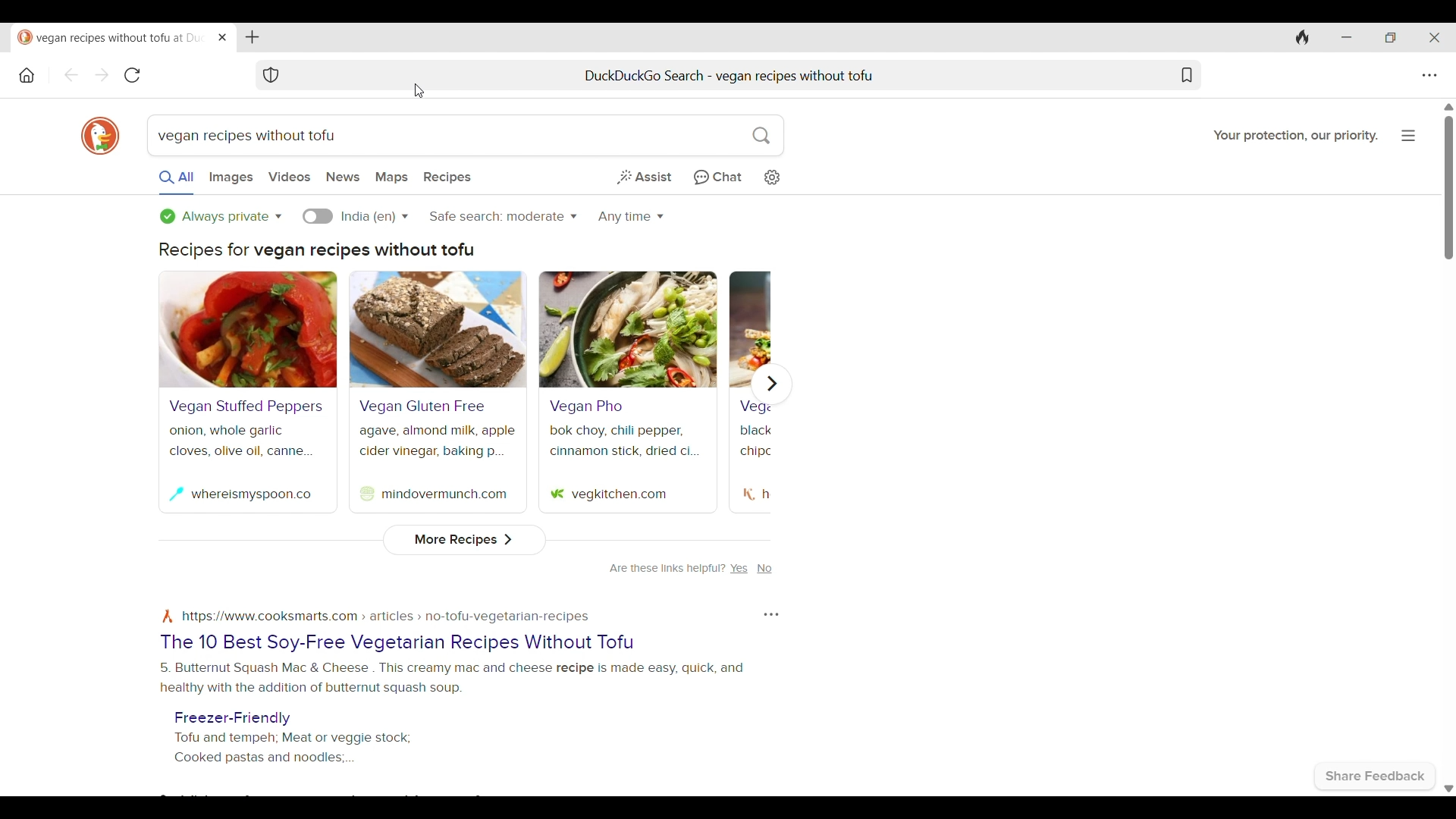  Describe the element at coordinates (764, 569) in the screenshot. I see `No` at that location.